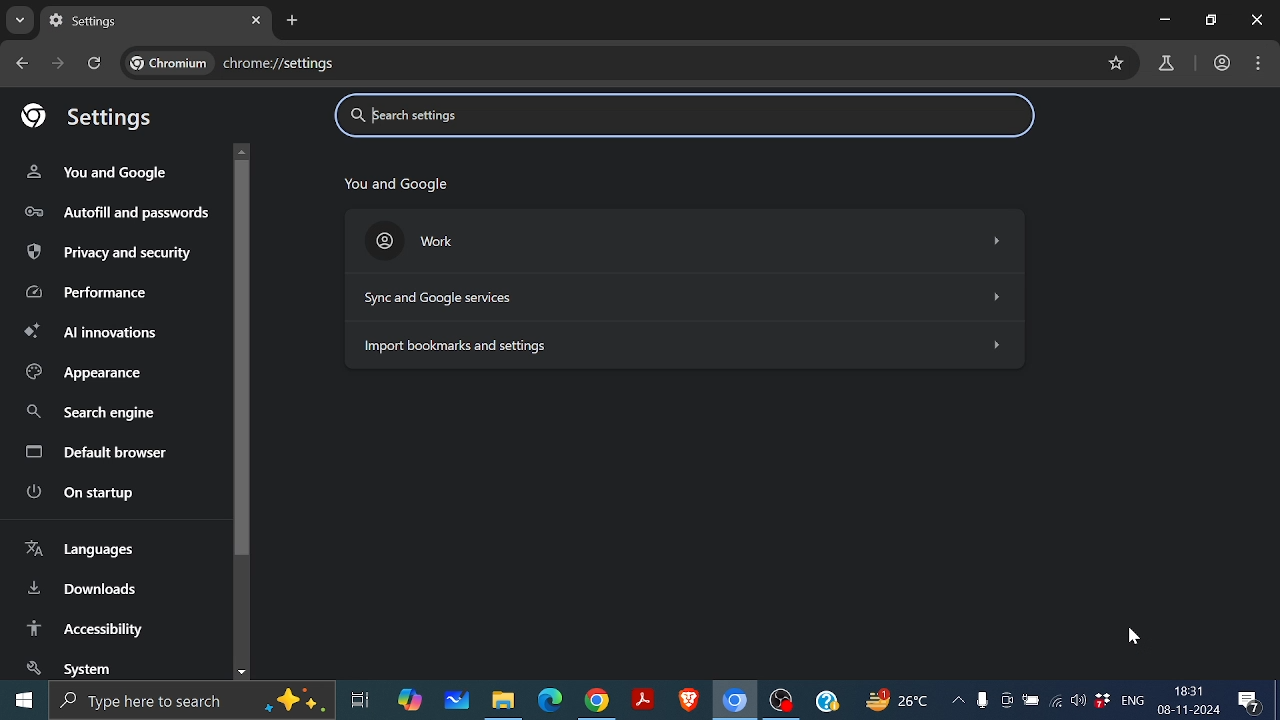 This screenshot has width=1280, height=720. Describe the element at coordinates (91, 292) in the screenshot. I see `Performance` at that location.